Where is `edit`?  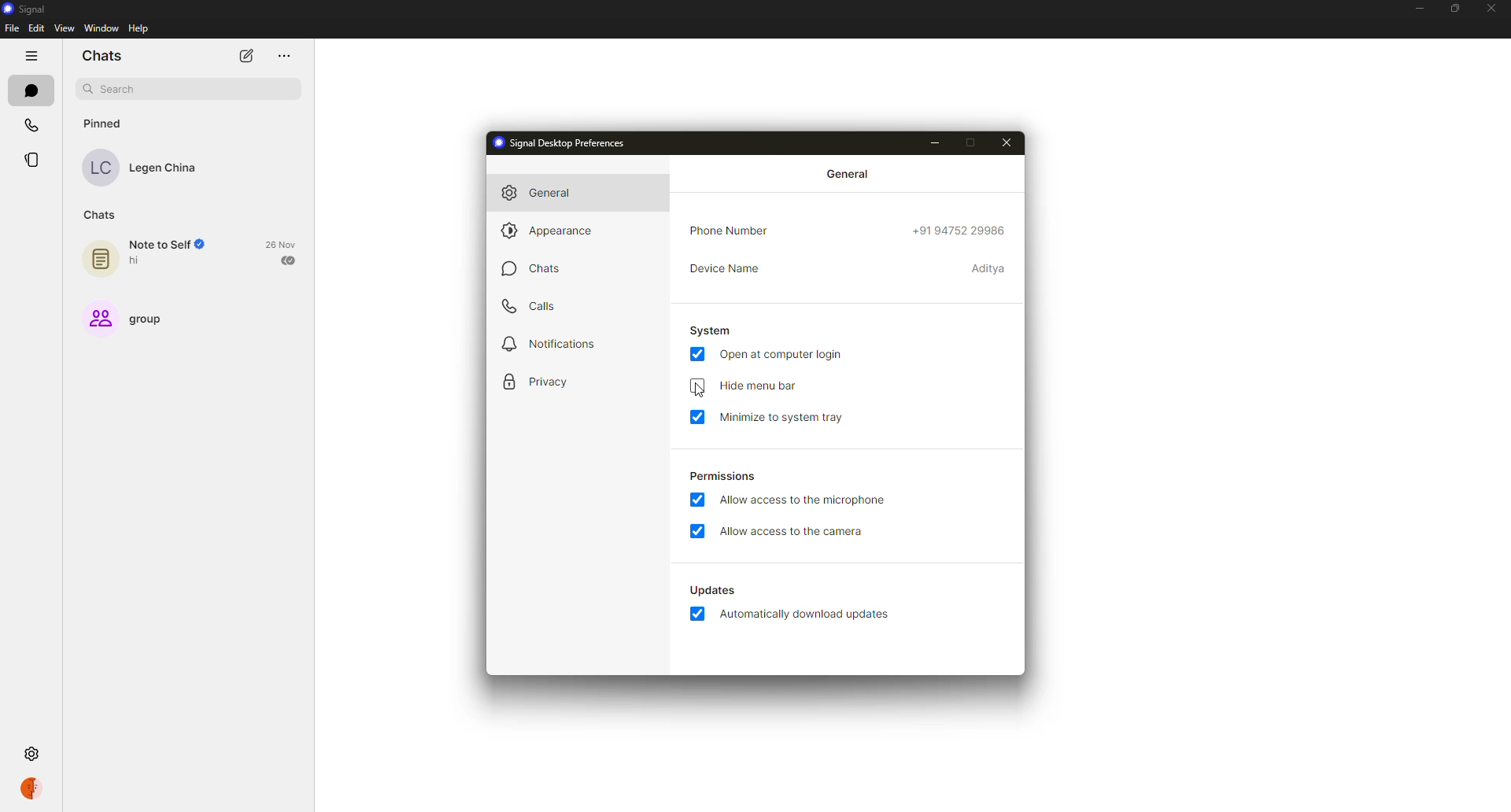 edit is located at coordinates (36, 29).